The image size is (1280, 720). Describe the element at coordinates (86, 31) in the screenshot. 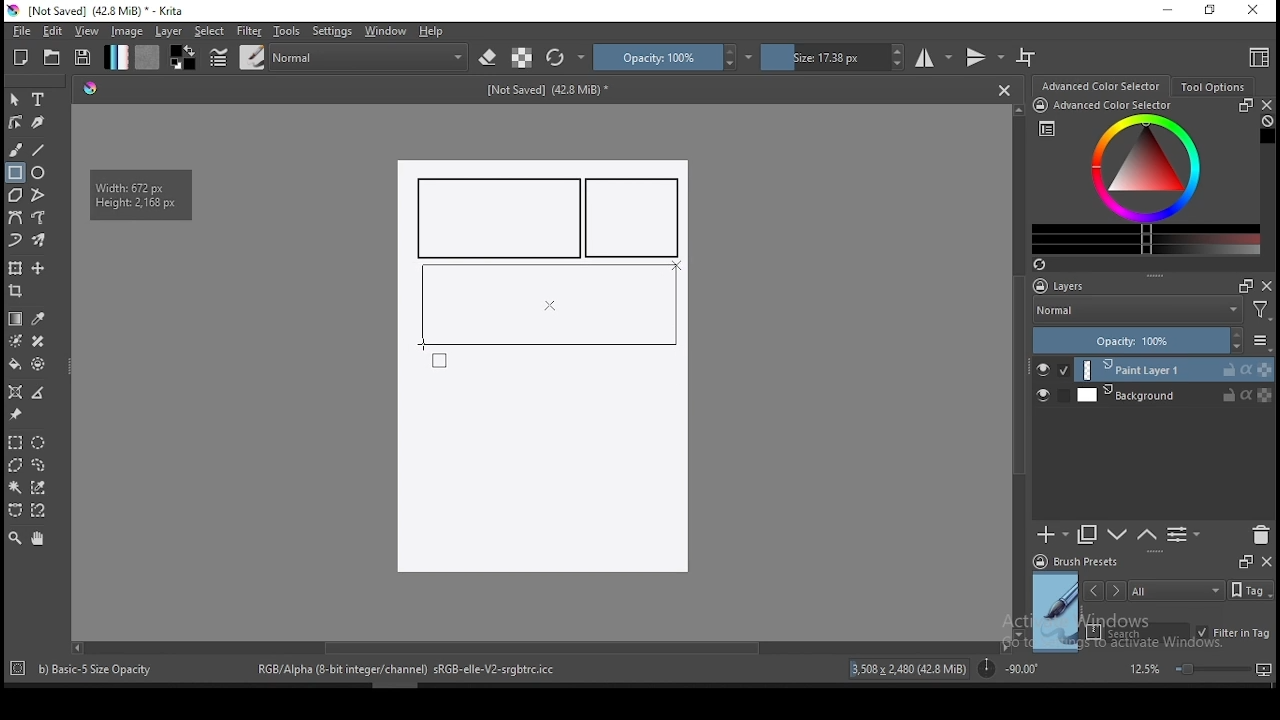

I see `view` at that location.